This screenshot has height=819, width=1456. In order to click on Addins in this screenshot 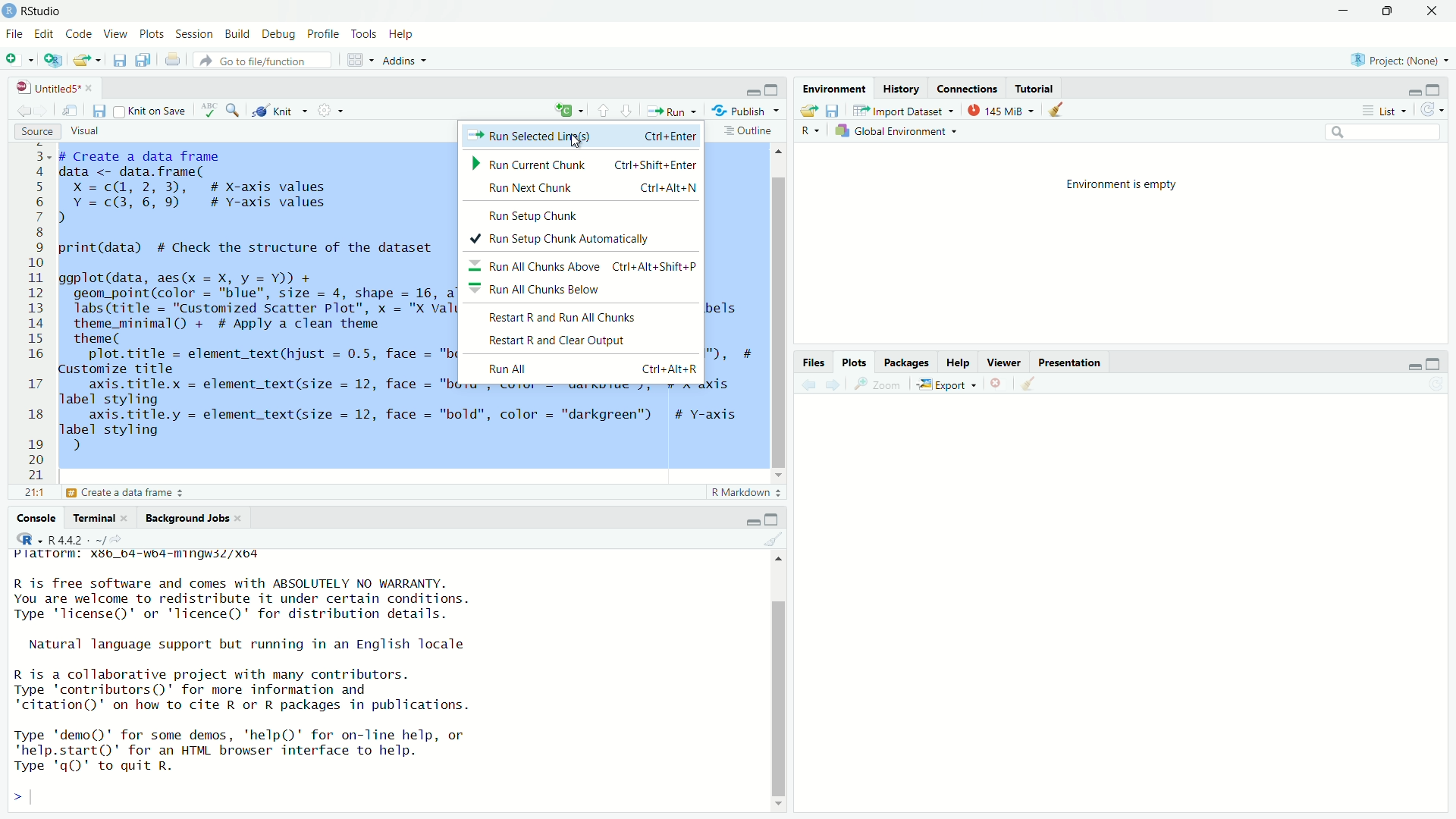, I will do `click(406, 60)`.